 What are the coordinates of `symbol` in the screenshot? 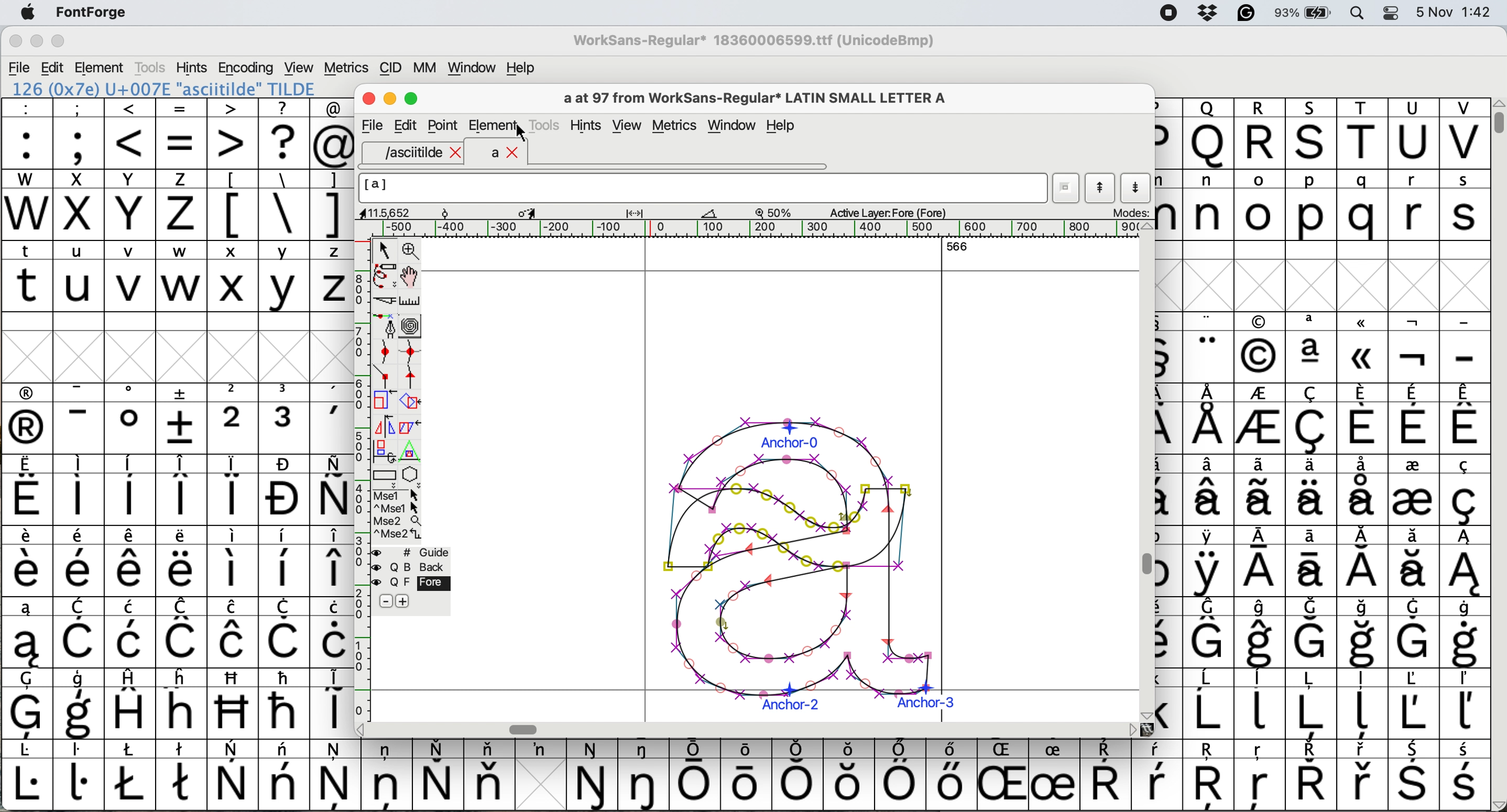 It's located at (28, 704).